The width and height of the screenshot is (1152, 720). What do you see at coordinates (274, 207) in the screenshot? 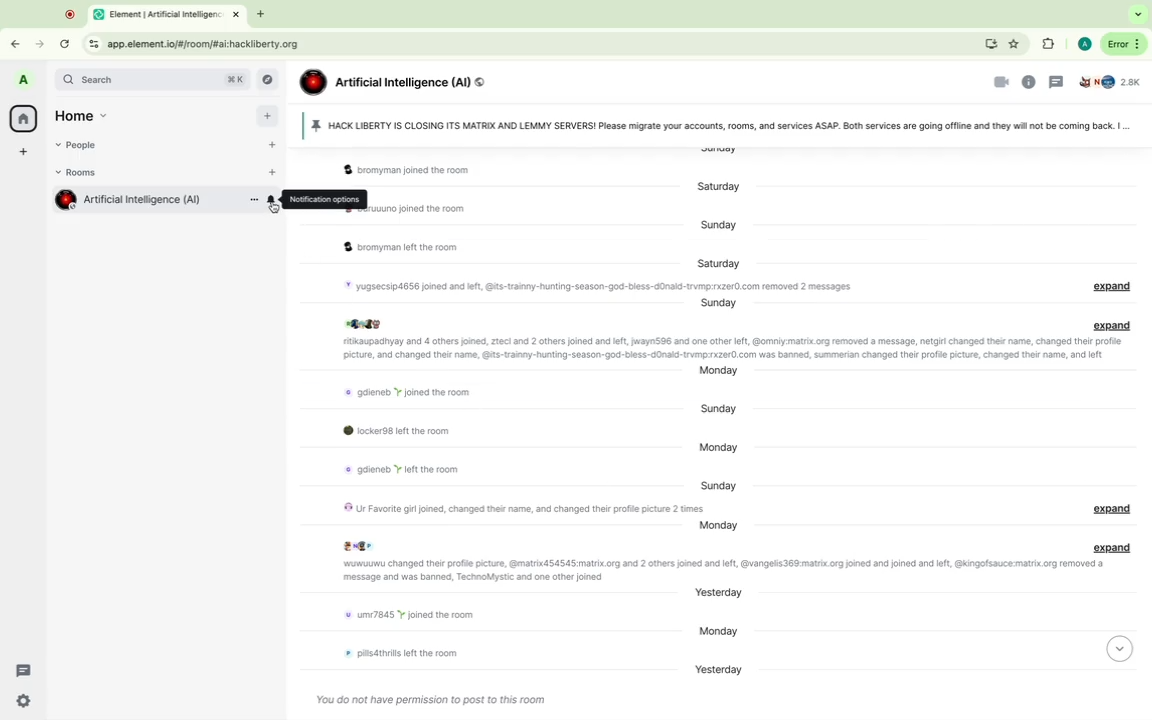
I see `` at bounding box center [274, 207].